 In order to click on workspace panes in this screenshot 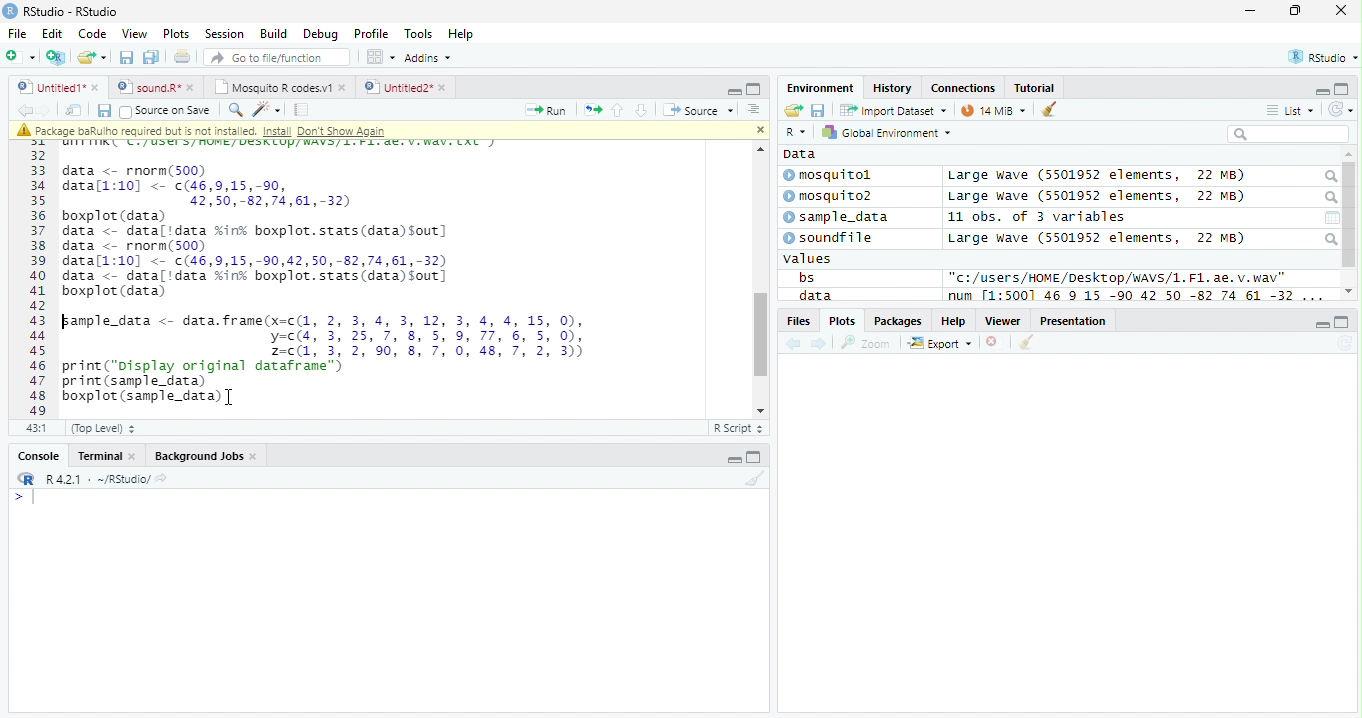, I will do `click(382, 57)`.